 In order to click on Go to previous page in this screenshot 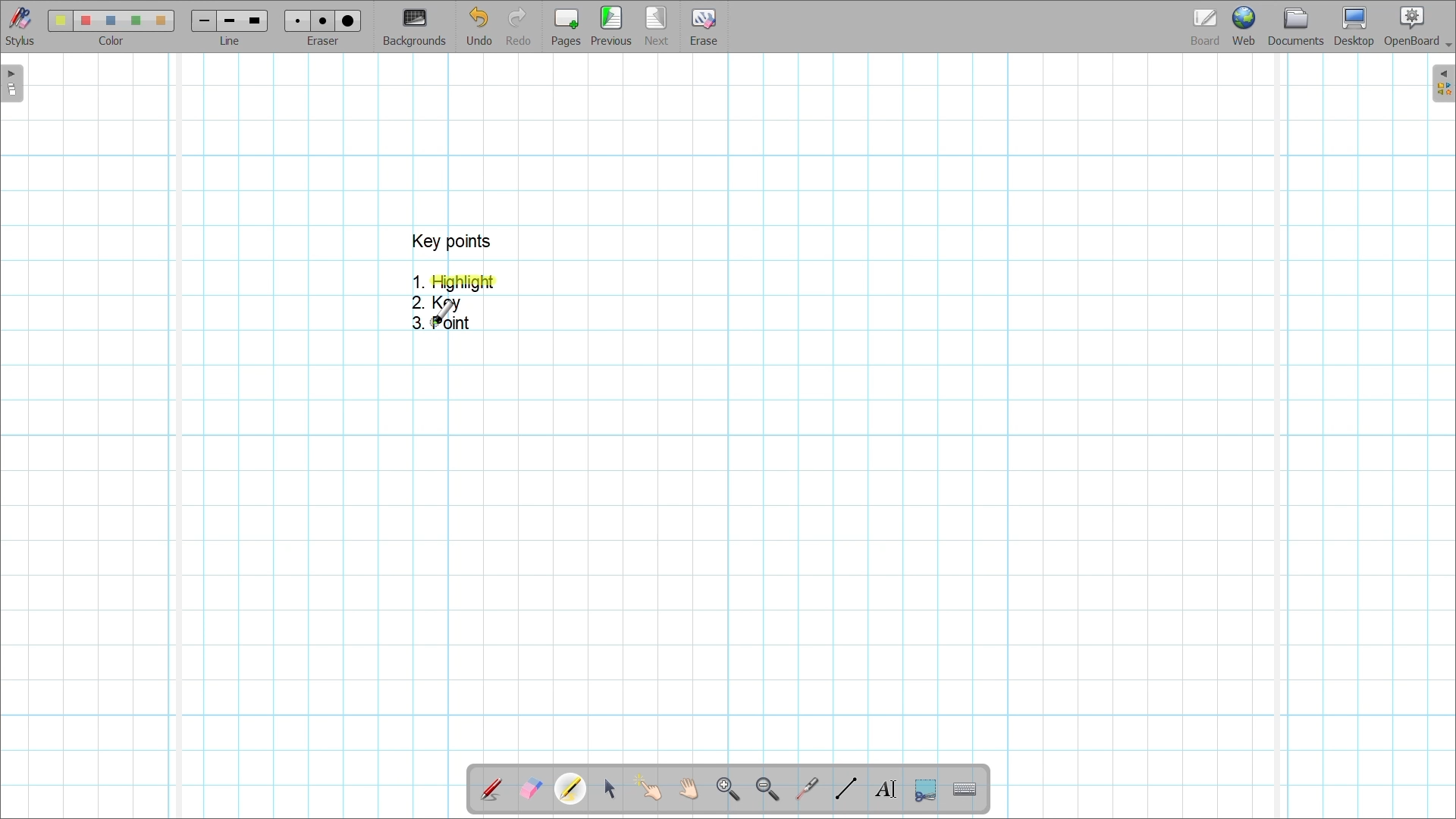, I will do `click(611, 26)`.